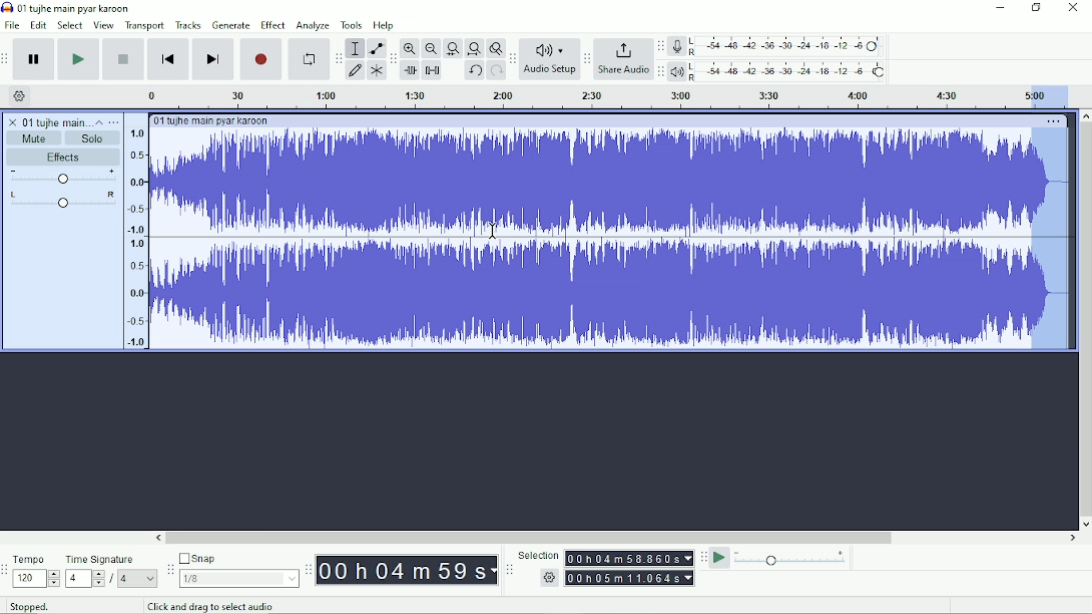 The width and height of the screenshot is (1092, 614). What do you see at coordinates (452, 48) in the screenshot?
I see `Fit selection to width` at bounding box center [452, 48].